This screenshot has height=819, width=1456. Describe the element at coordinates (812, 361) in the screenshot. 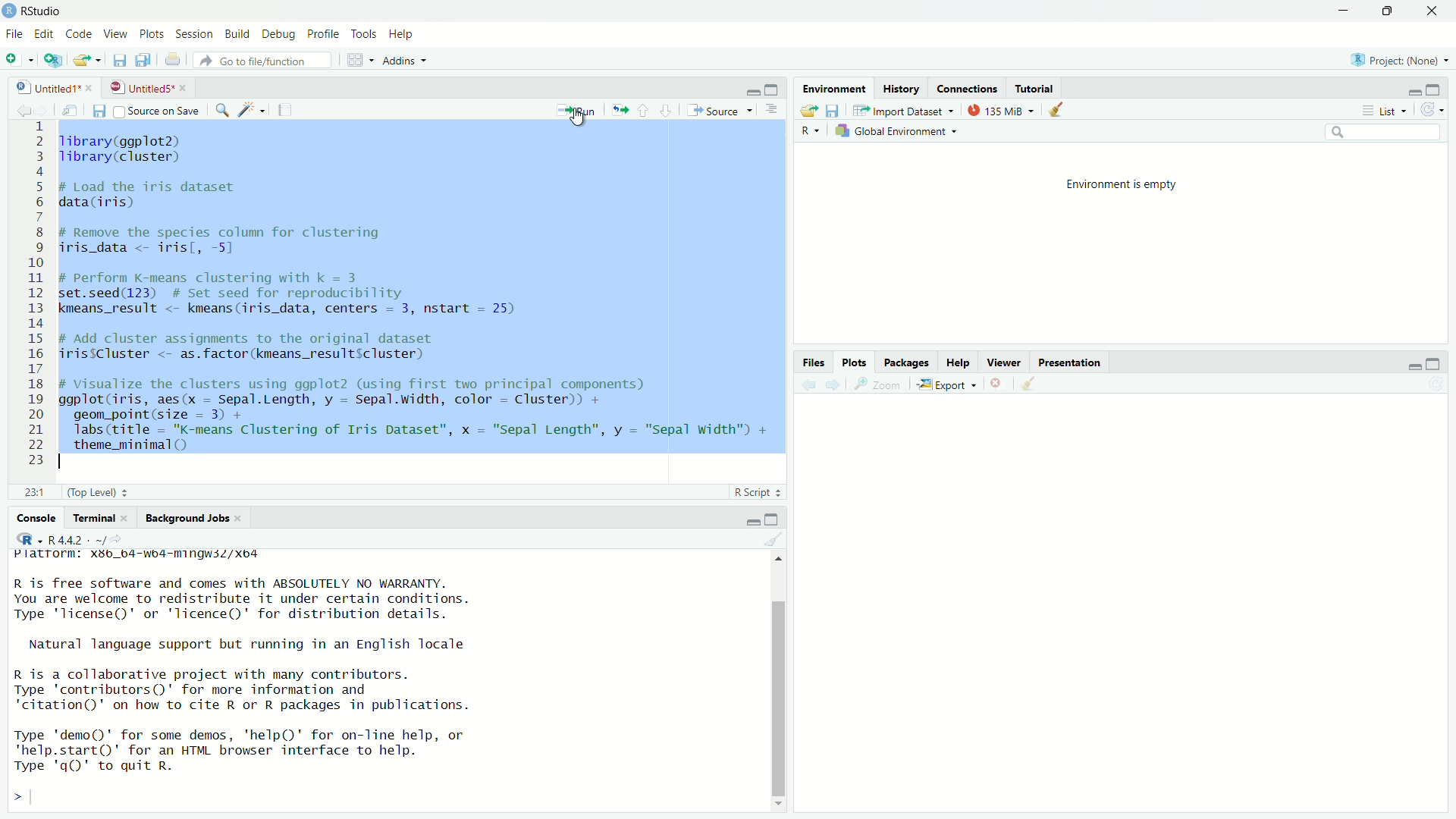

I see `Files` at that location.